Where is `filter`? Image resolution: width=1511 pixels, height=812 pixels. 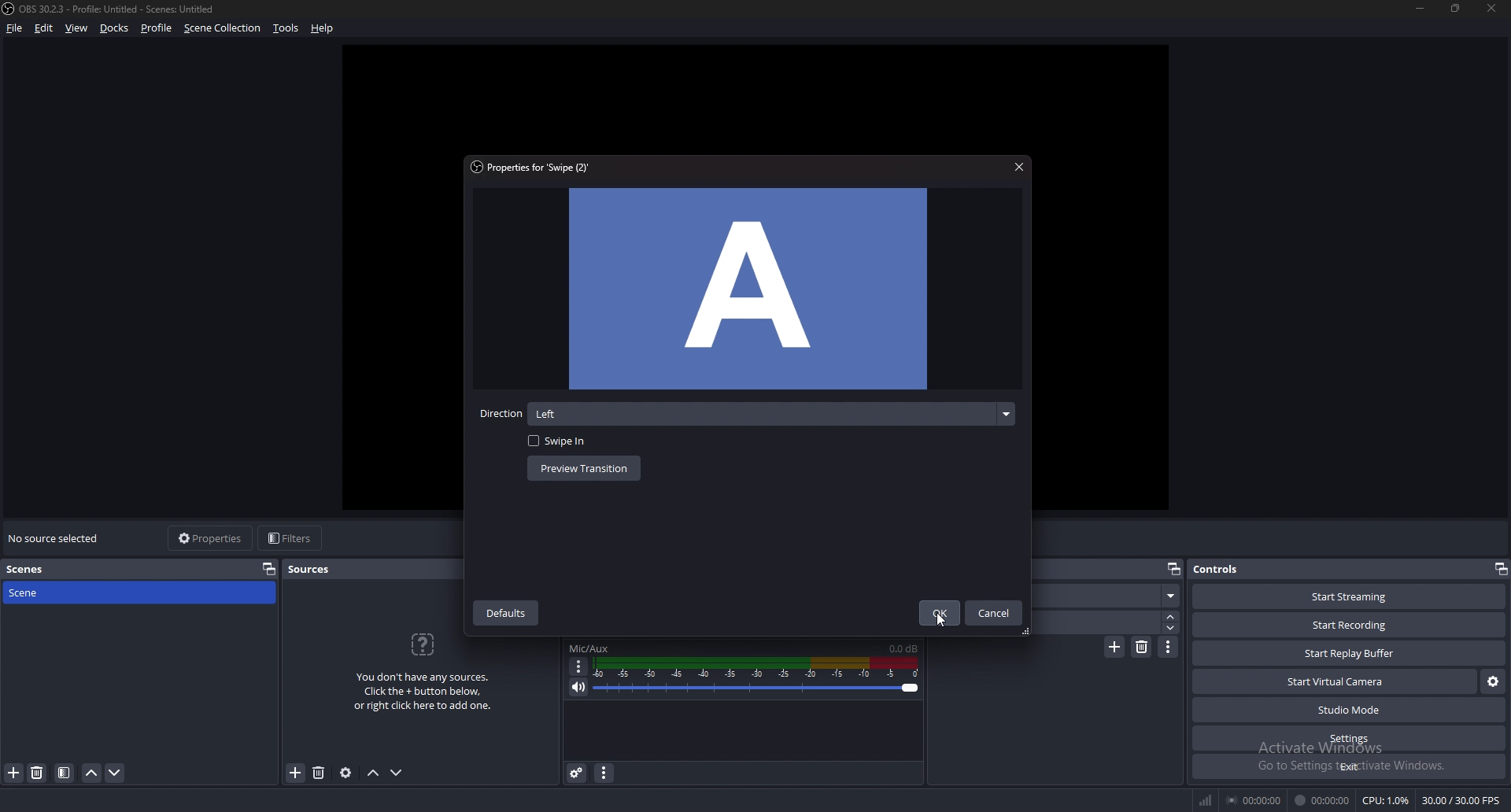
filter is located at coordinates (64, 773).